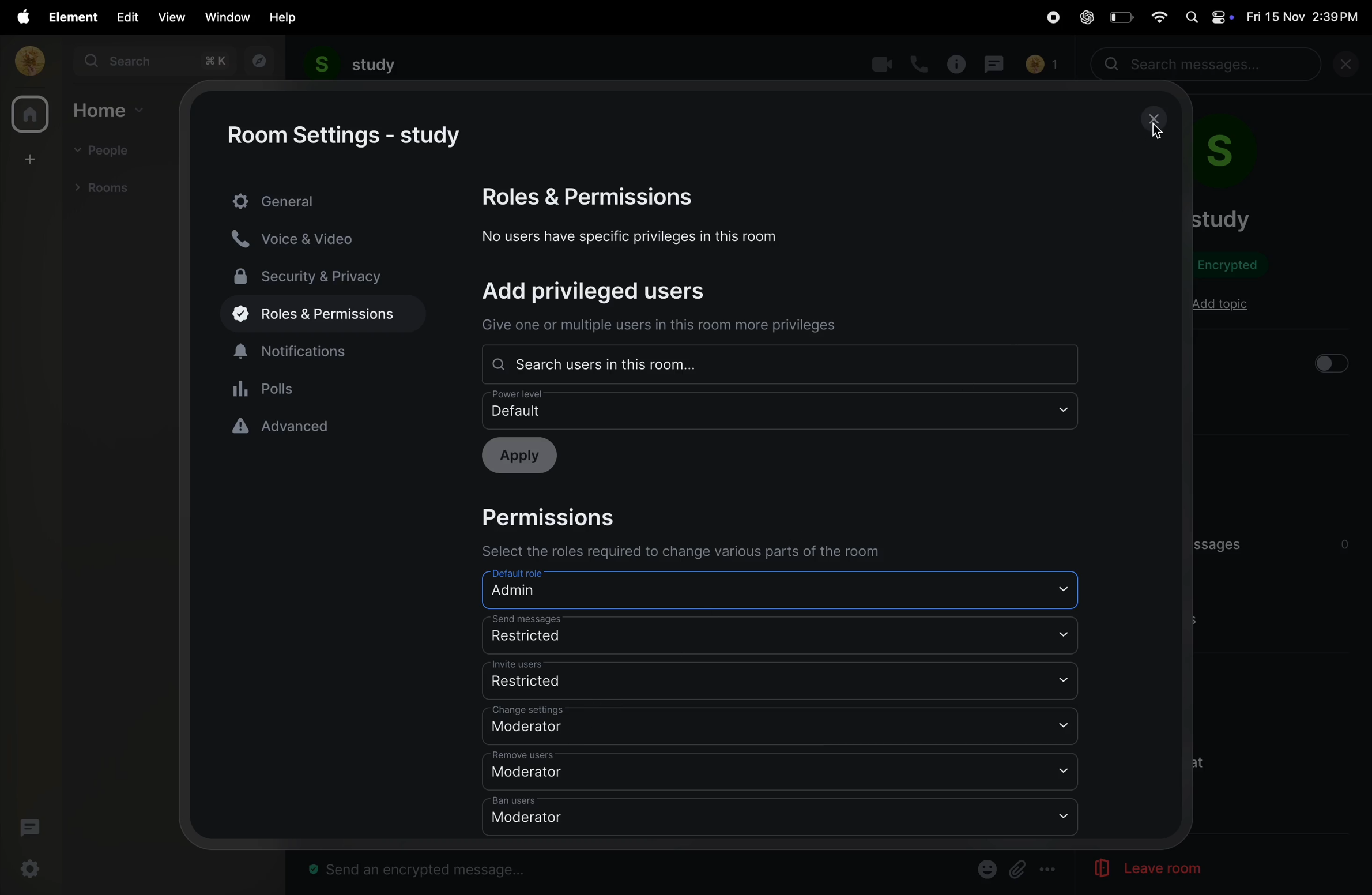  Describe the element at coordinates (1049, 870) in the screenshot. I see `more options` at that location.